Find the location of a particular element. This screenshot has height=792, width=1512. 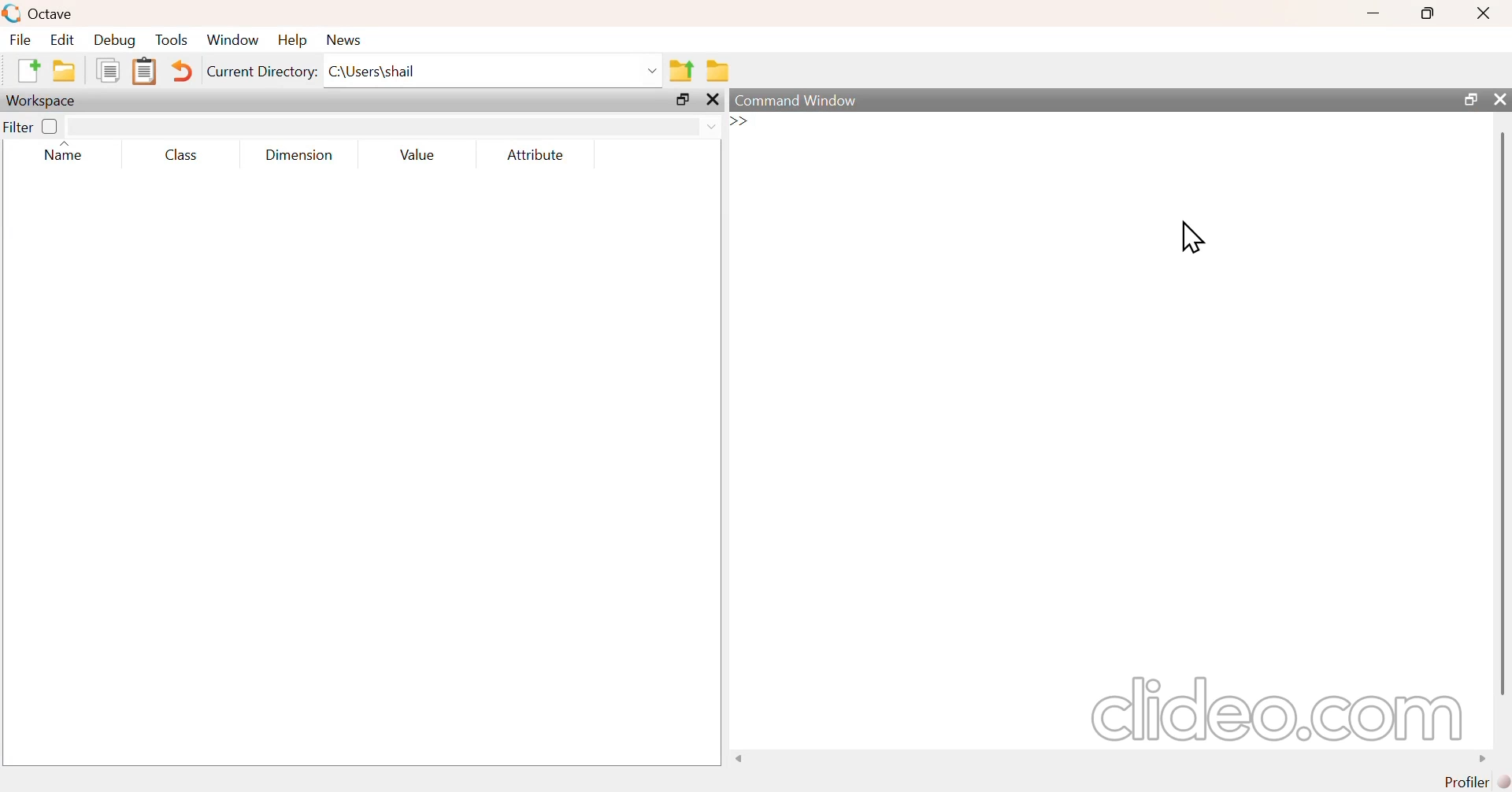

debug is located at coordinates (115, 39).